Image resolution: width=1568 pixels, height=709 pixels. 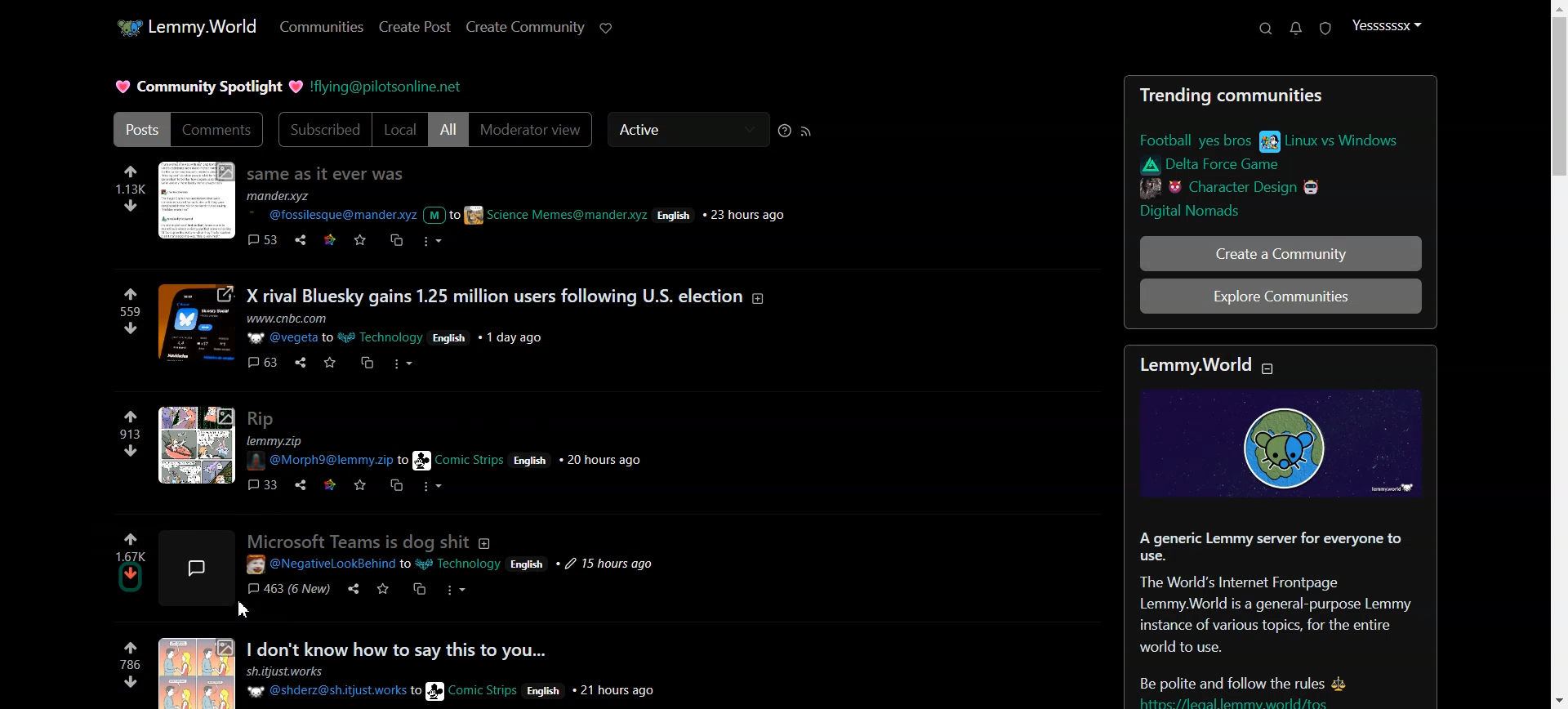 What do you see at coordinates (374, 541) in the screenshot?
I see `posts` at bounding box center [374, 541].